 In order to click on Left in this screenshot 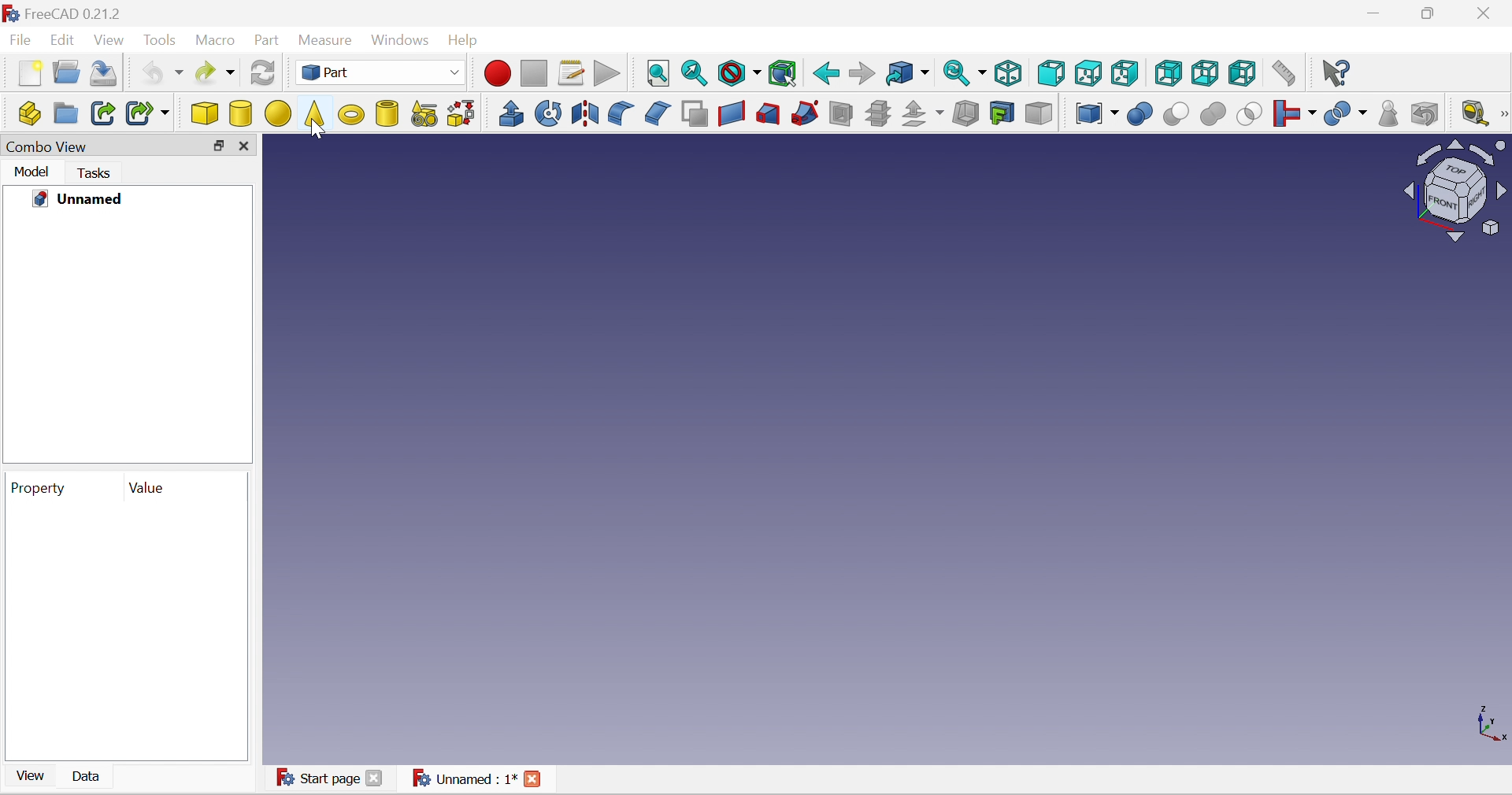, I will do `click(1242, 72)`.